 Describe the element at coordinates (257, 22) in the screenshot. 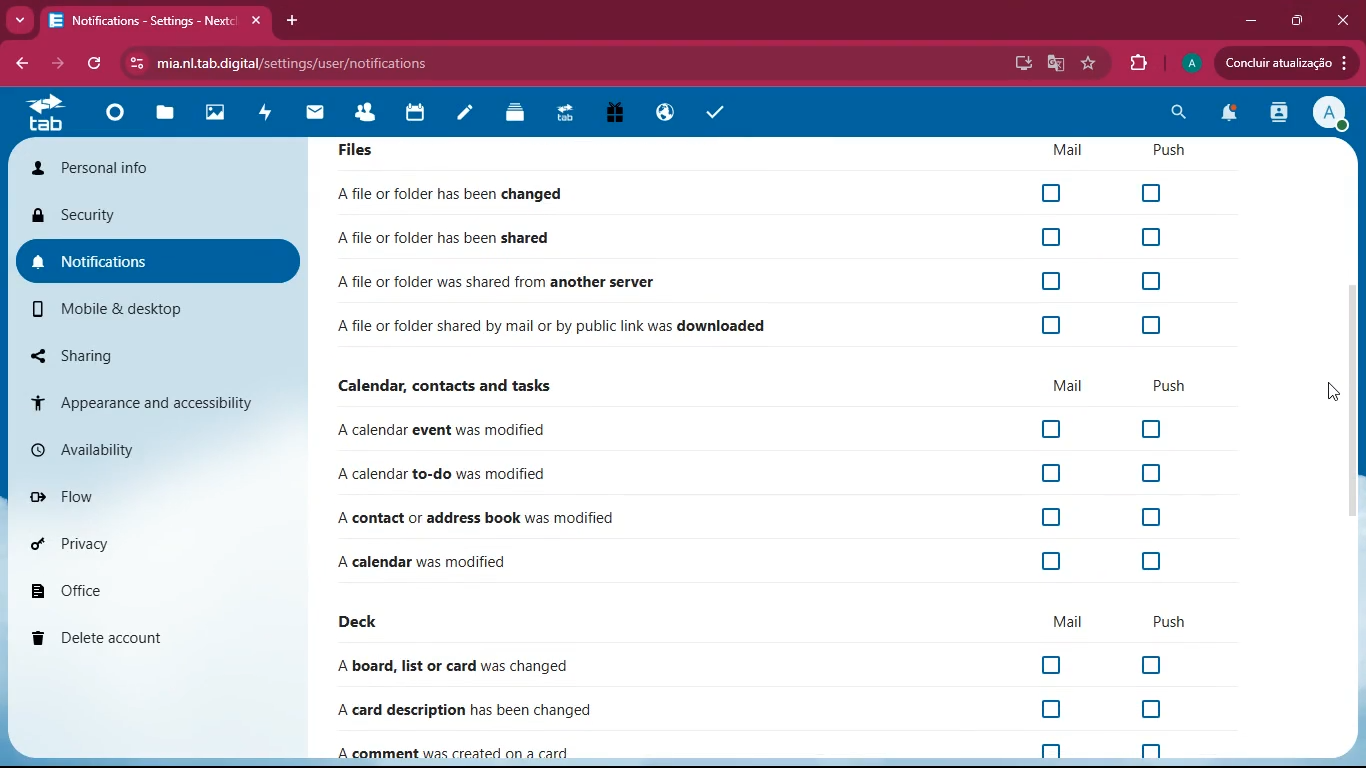

I see `close tab` at that location.